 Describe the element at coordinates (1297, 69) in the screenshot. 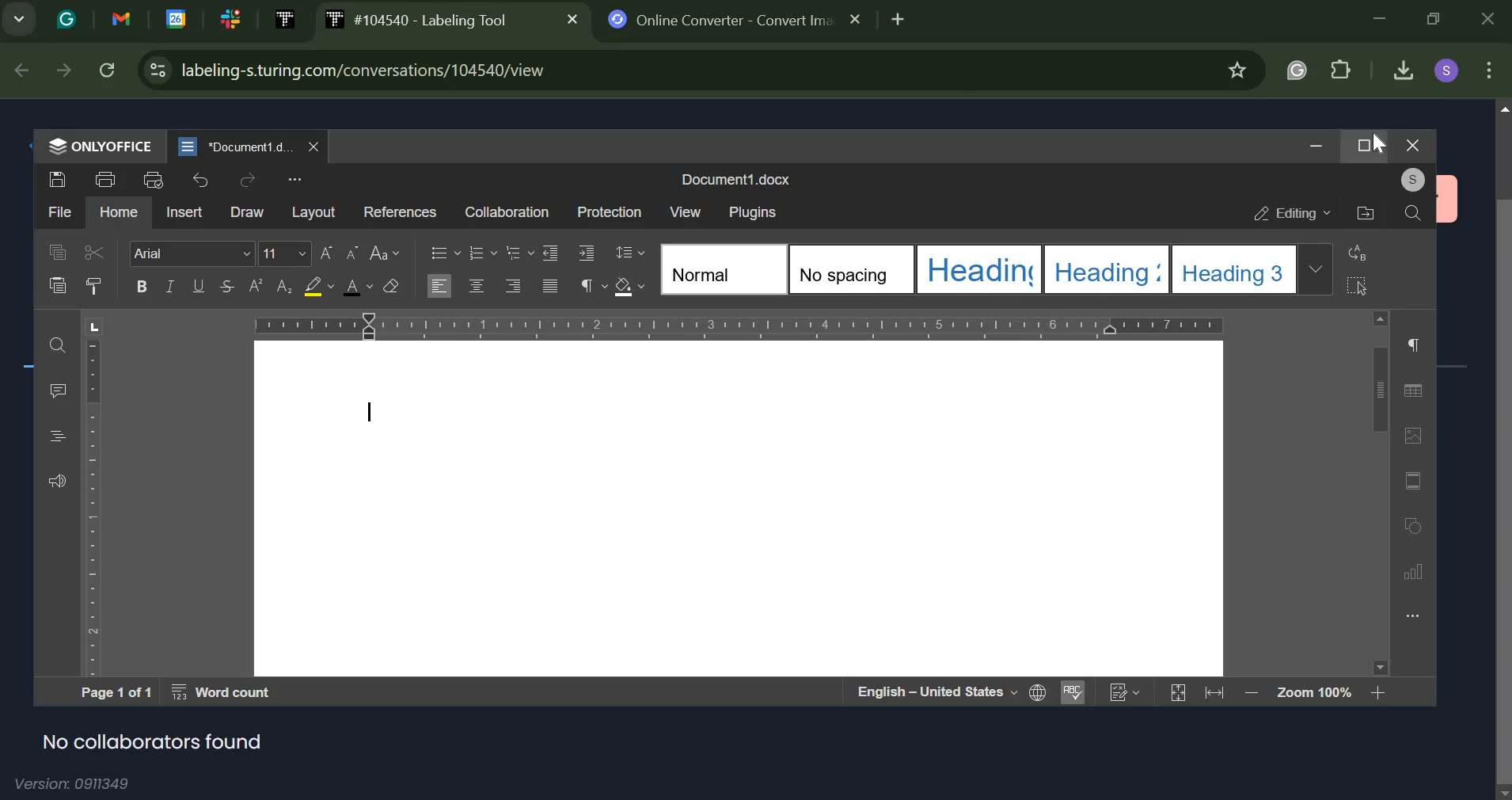

I see `Grammarly` at that location.